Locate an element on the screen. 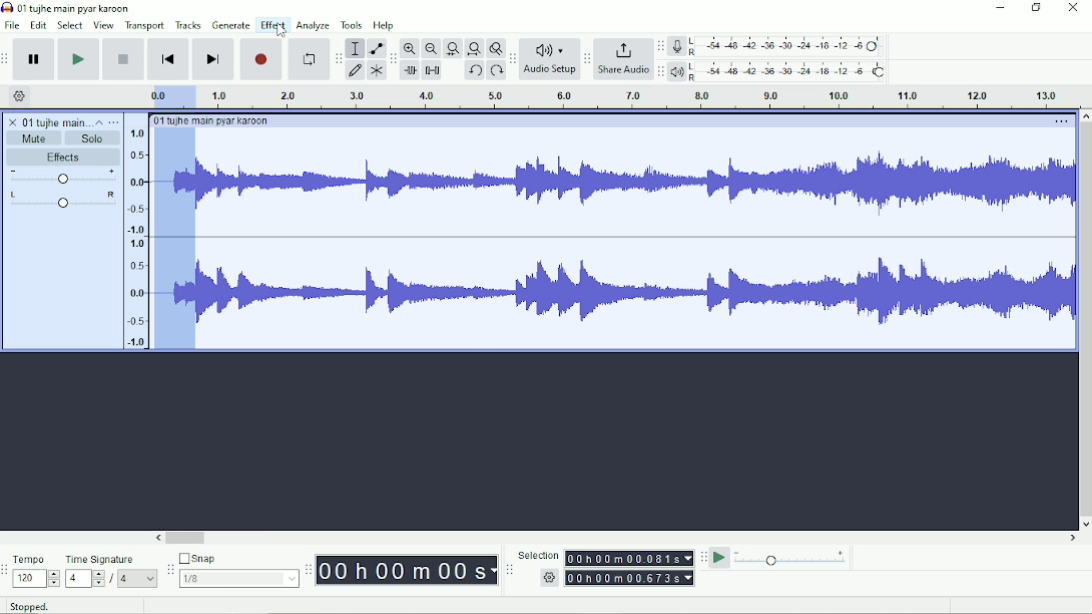 The width and height of the screenshot is (1092, 614). Audio Waves is located at coordinates (636, 293).